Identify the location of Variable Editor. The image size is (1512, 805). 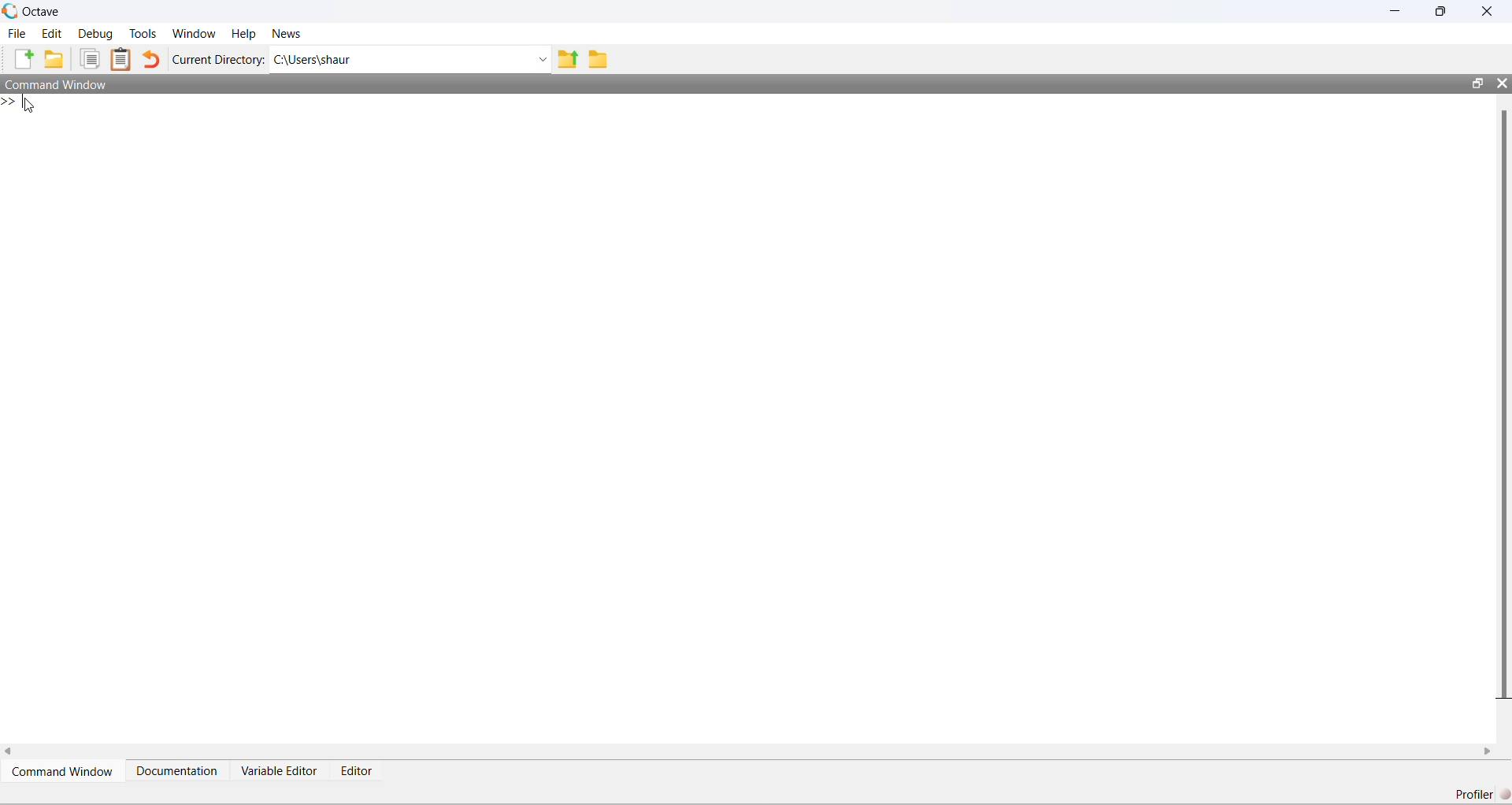
(279, 770).